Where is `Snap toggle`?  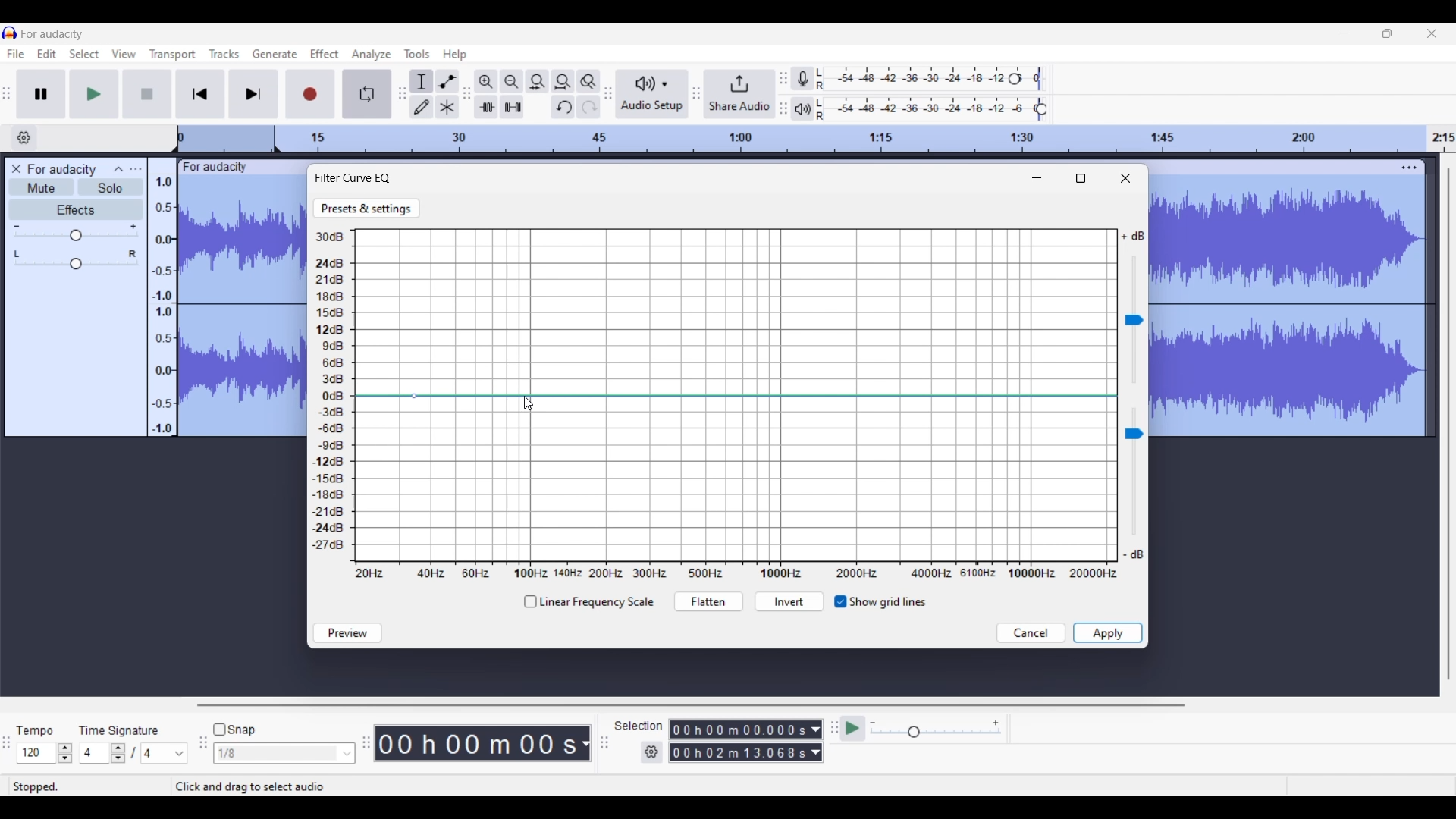 Snap toggle is located at coordinates (234, 730).